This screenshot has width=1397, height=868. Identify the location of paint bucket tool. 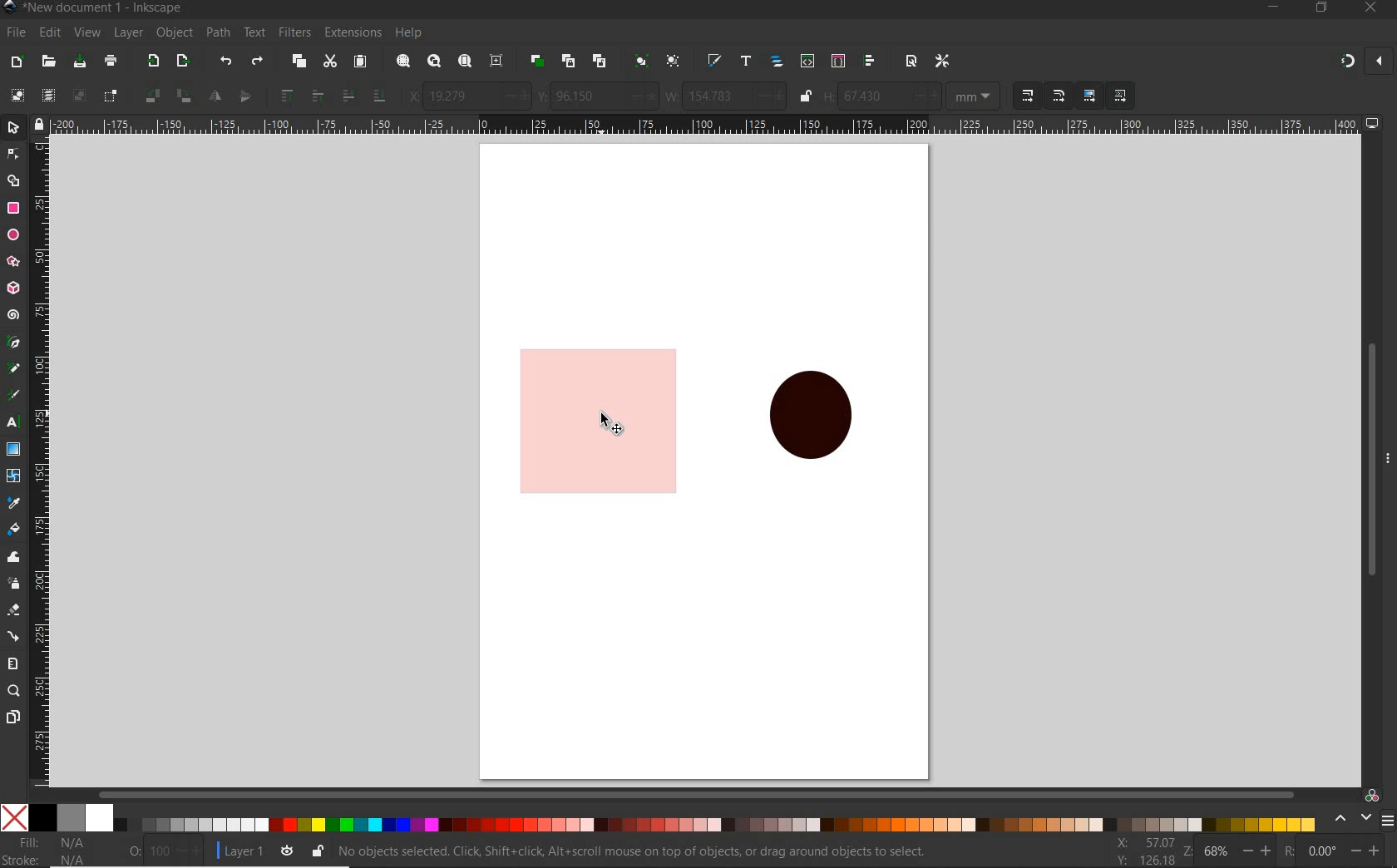
(13, 528).